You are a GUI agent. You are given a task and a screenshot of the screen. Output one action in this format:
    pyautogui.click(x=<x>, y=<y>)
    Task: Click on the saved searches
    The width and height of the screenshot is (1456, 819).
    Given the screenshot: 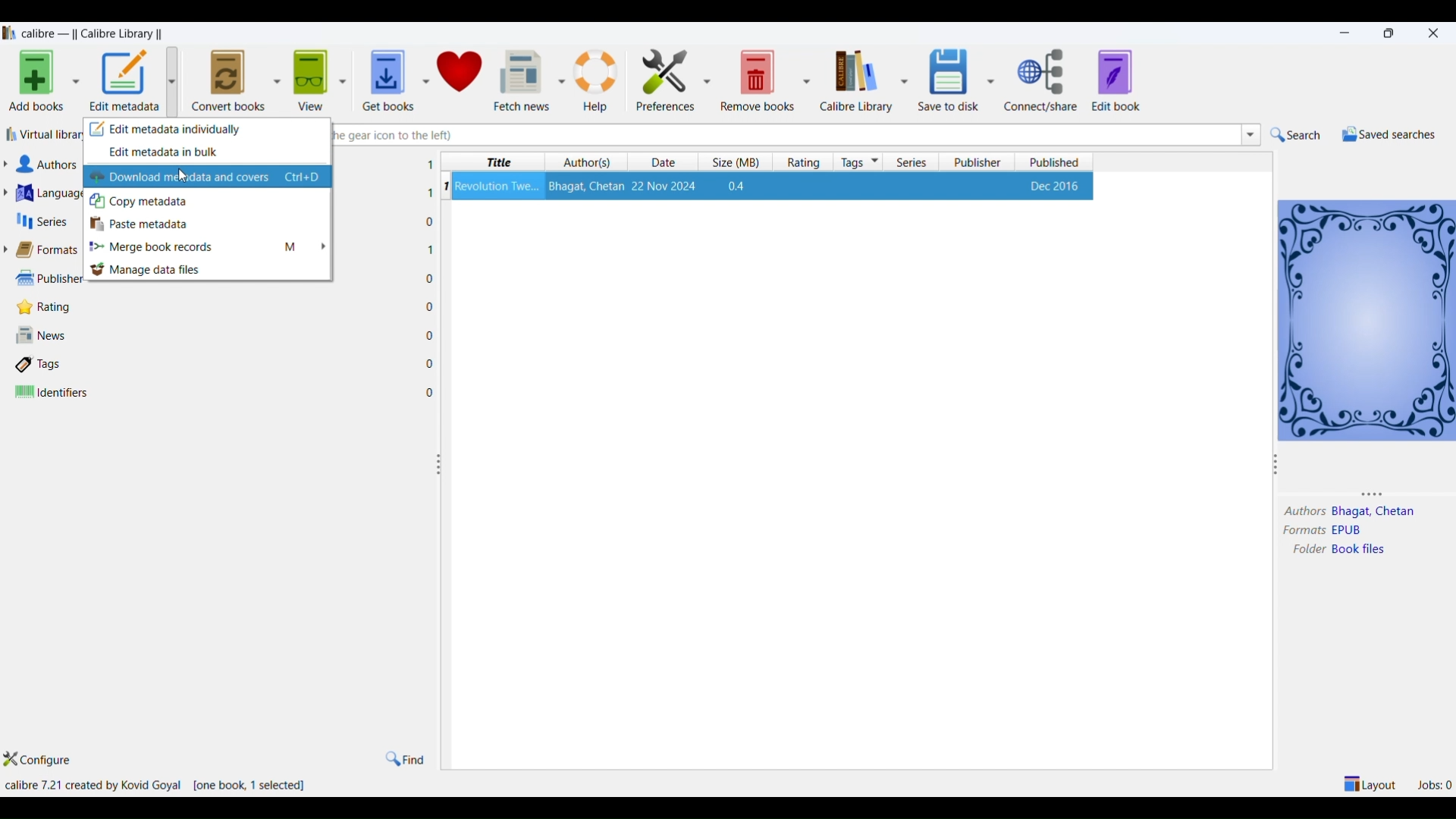 What is the action you would take?
    pyautogui.click(x=1387, y=134)
    